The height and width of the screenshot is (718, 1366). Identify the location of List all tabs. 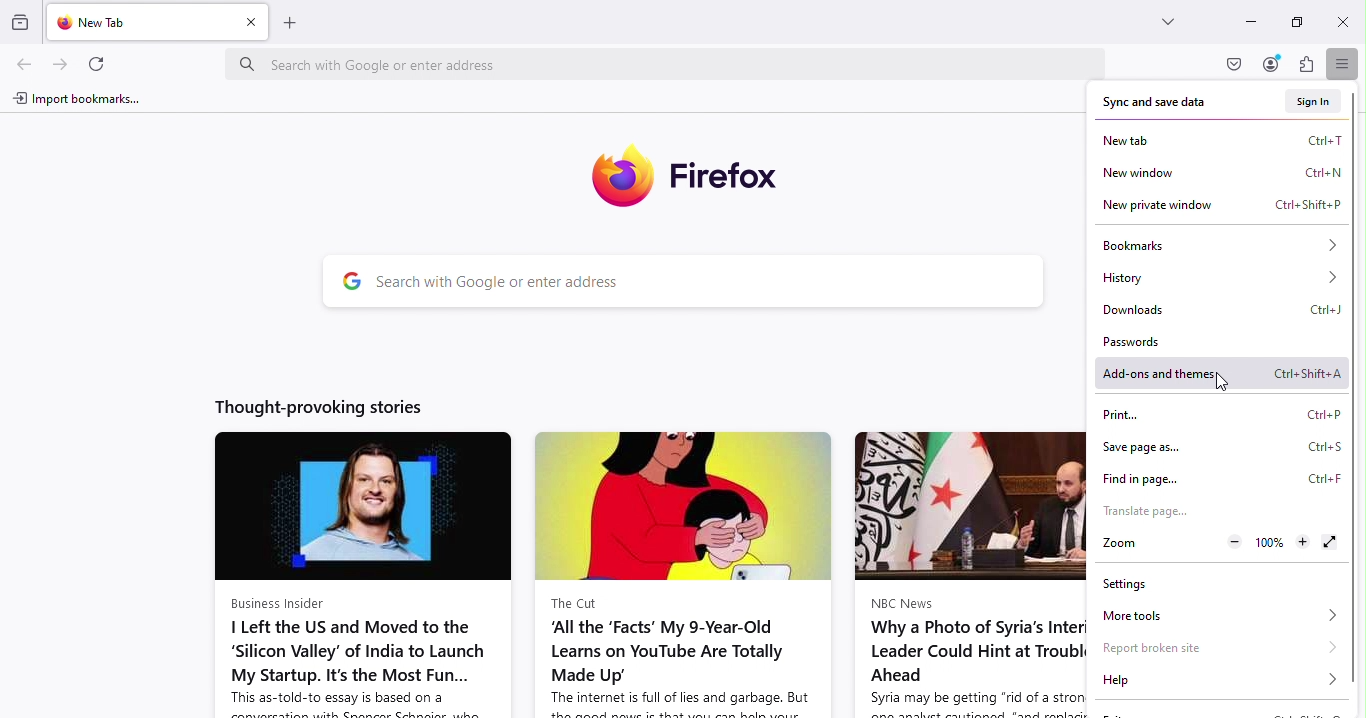
(1168, 19).